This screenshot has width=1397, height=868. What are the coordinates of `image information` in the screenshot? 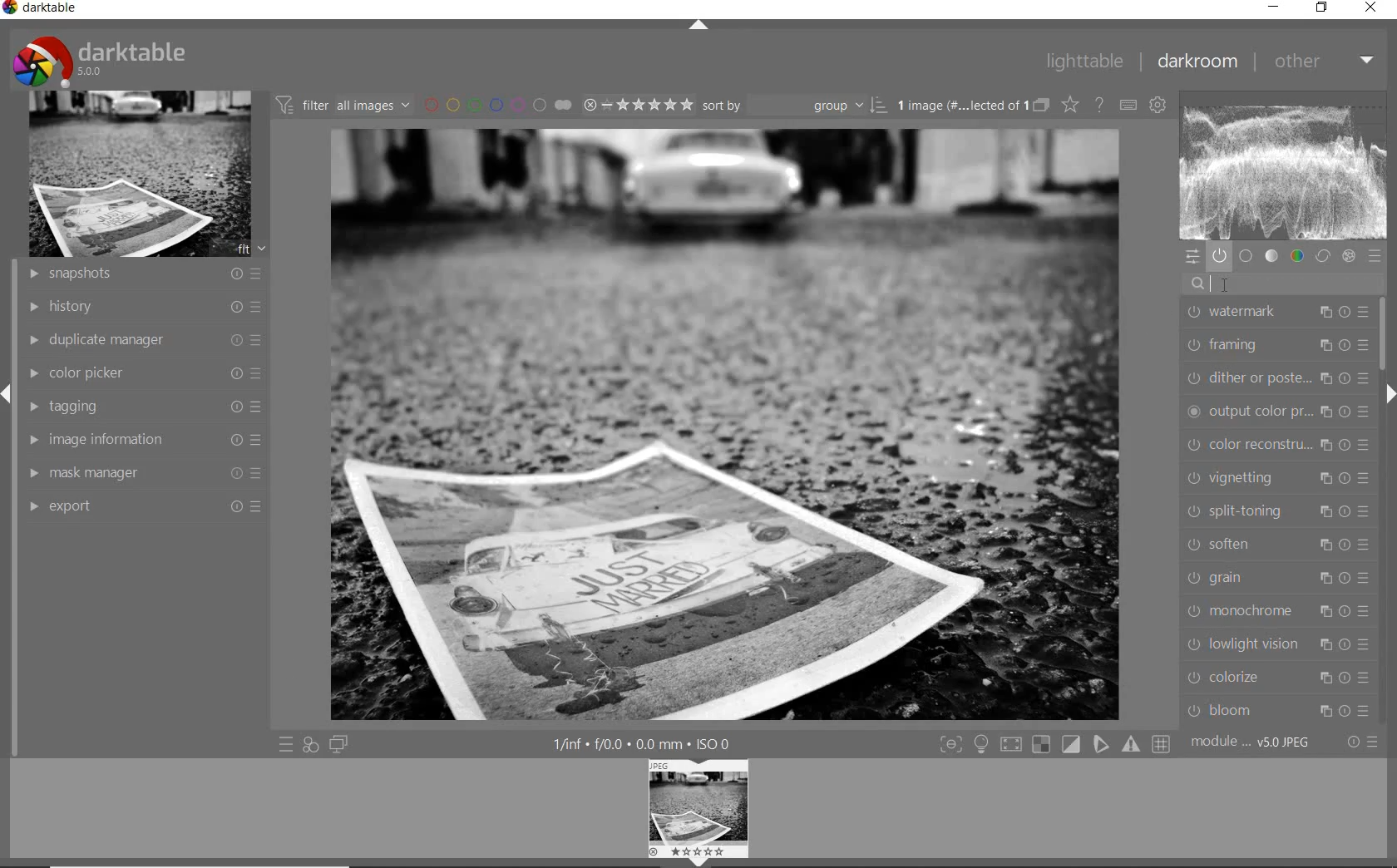 It's located at (146, 439).